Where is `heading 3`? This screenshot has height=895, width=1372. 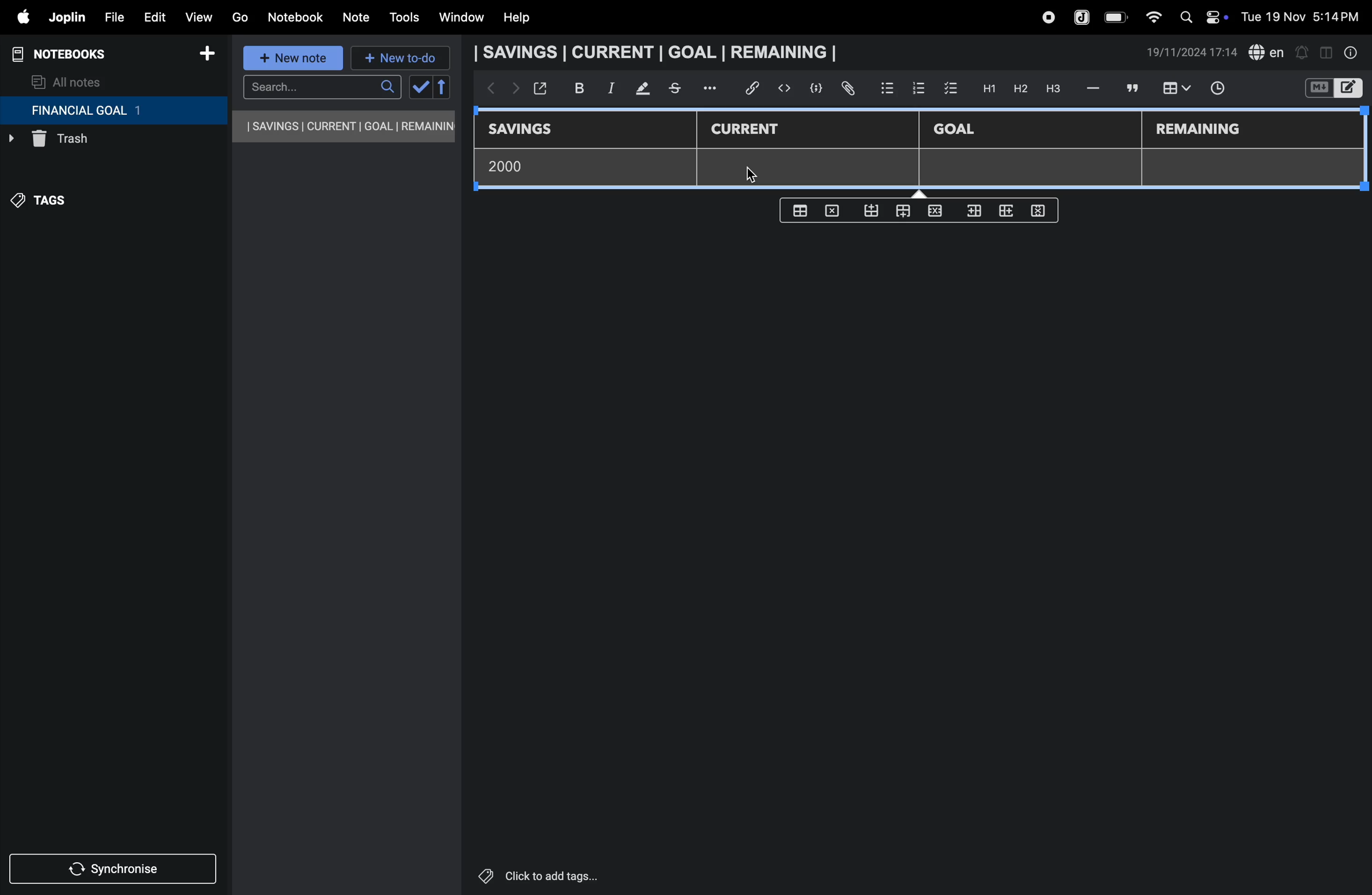
heading 3 is located at coordinates (1053, 89).